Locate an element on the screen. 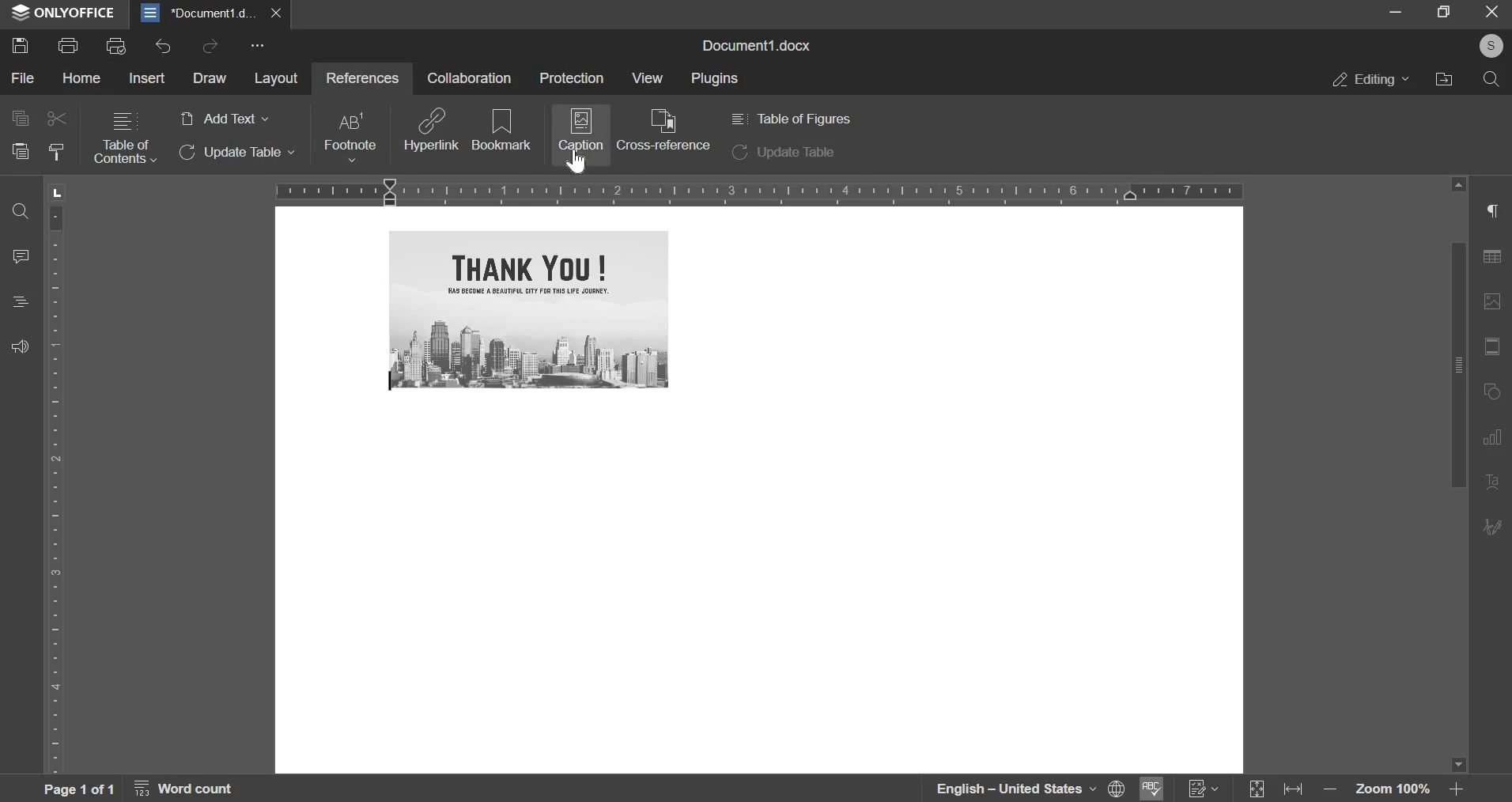 The width and height of the screenshot is (1512, 802). search is located at coordinates (1491, 79).